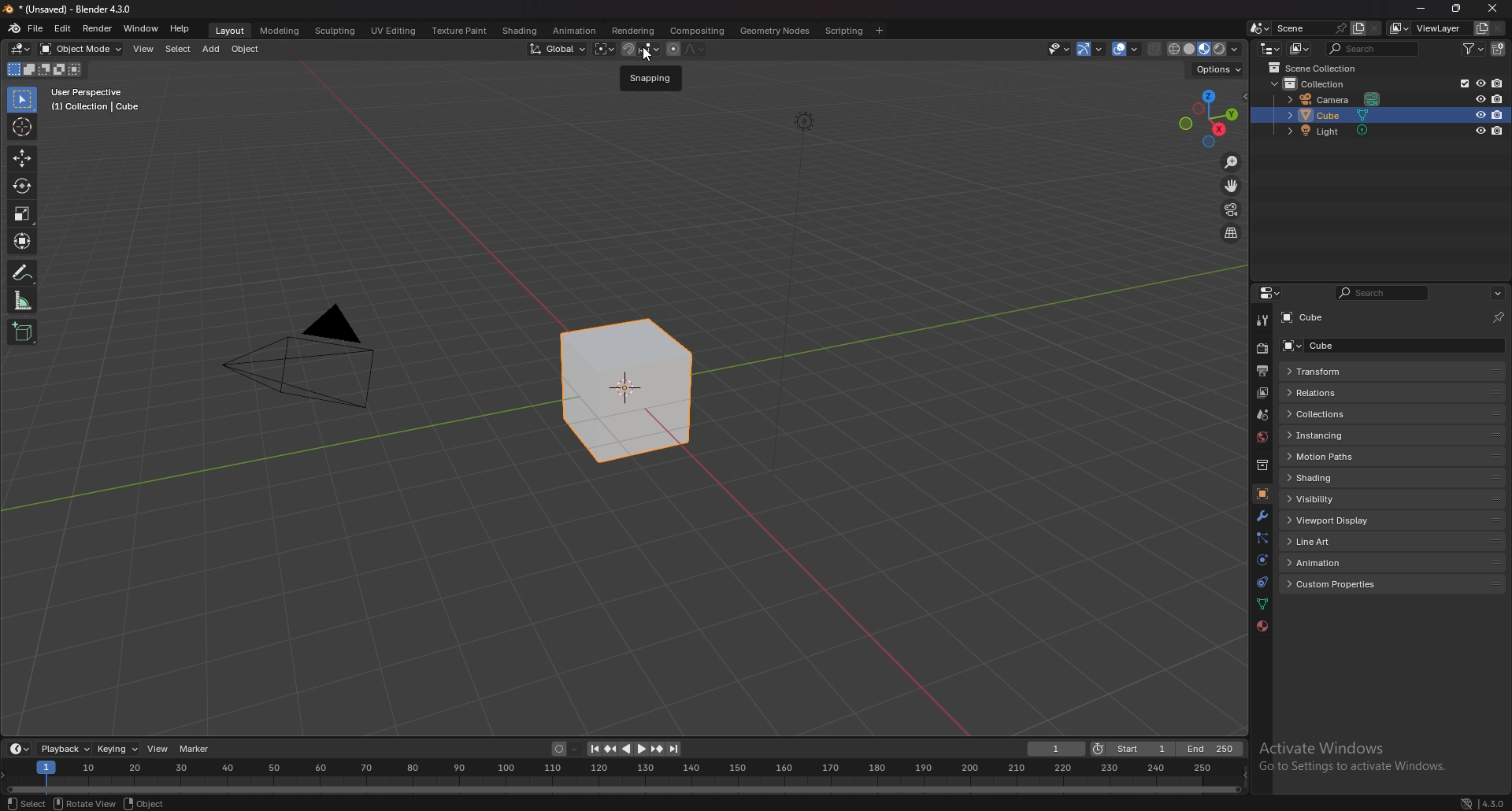  Describe the element at coordinates (1496, 83) in the screenshot. I see `disable in renders` at that location.